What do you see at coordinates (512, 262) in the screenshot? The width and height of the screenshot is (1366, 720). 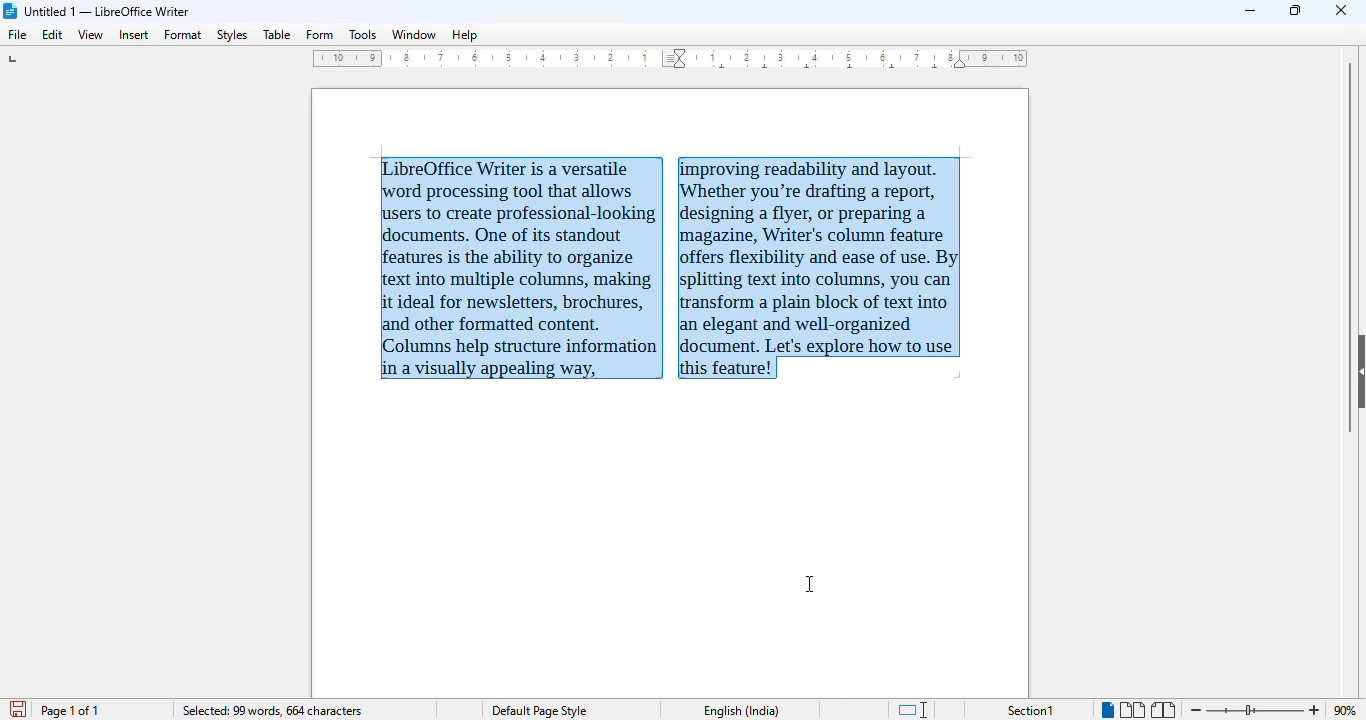 I see `LLibreOffice Writer is a versatile word processing tool that allows users to create professional-looking documents. One of its standout features is the ability to organize text into multiple columns, making it ideal for newsletters, brochures, and other formatted content. columns help structure information in a visually appealing way,` at bounding box center [512, 262].